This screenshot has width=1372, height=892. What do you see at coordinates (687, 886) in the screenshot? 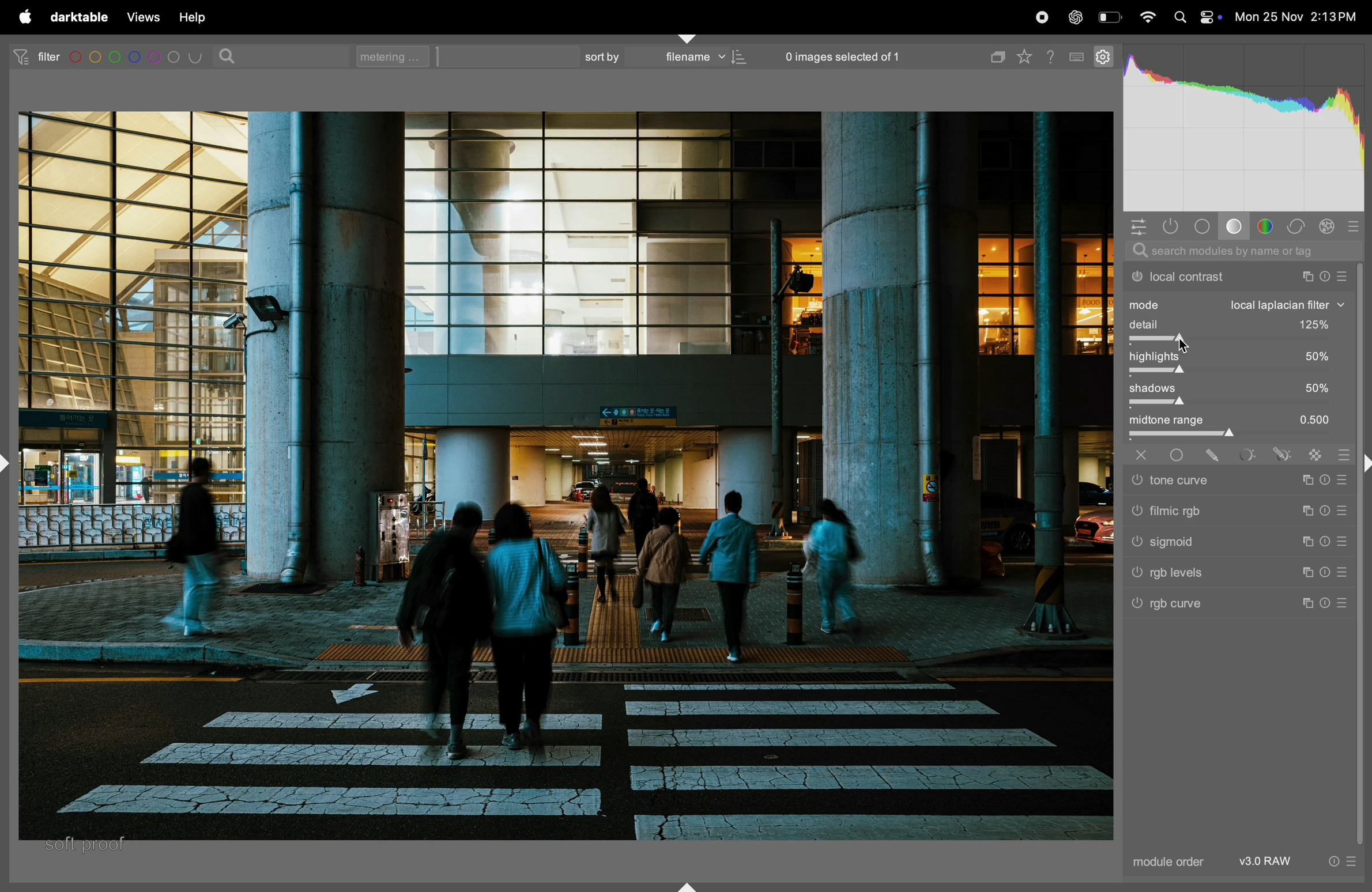
I see `shift+ctrl+b` at bounding box center [687, 886].